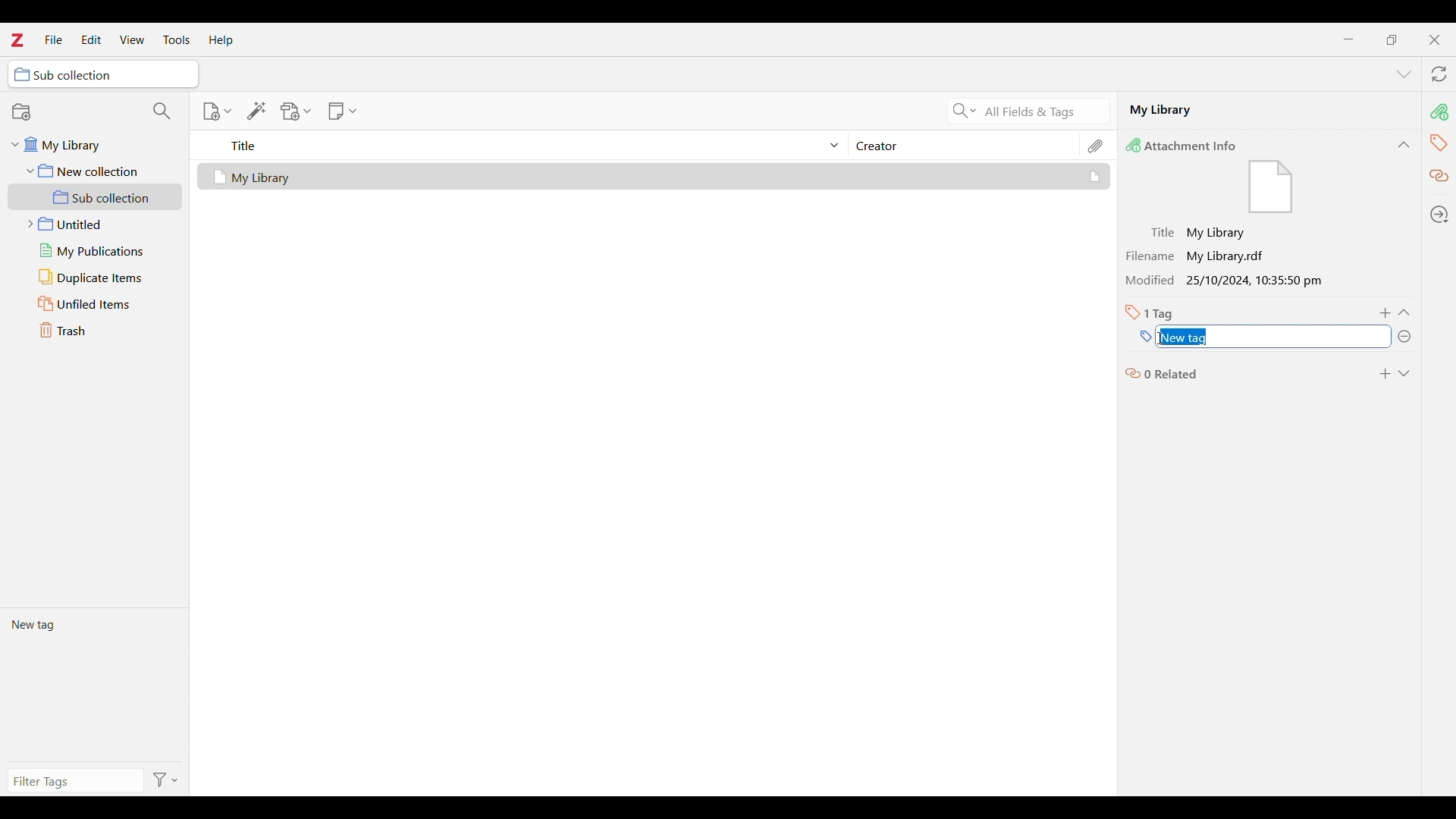 This screenshot has width=1456, height=819. I want to click on Modified 25/10/2024, 10:35:50 pm, so click(1228, 281).